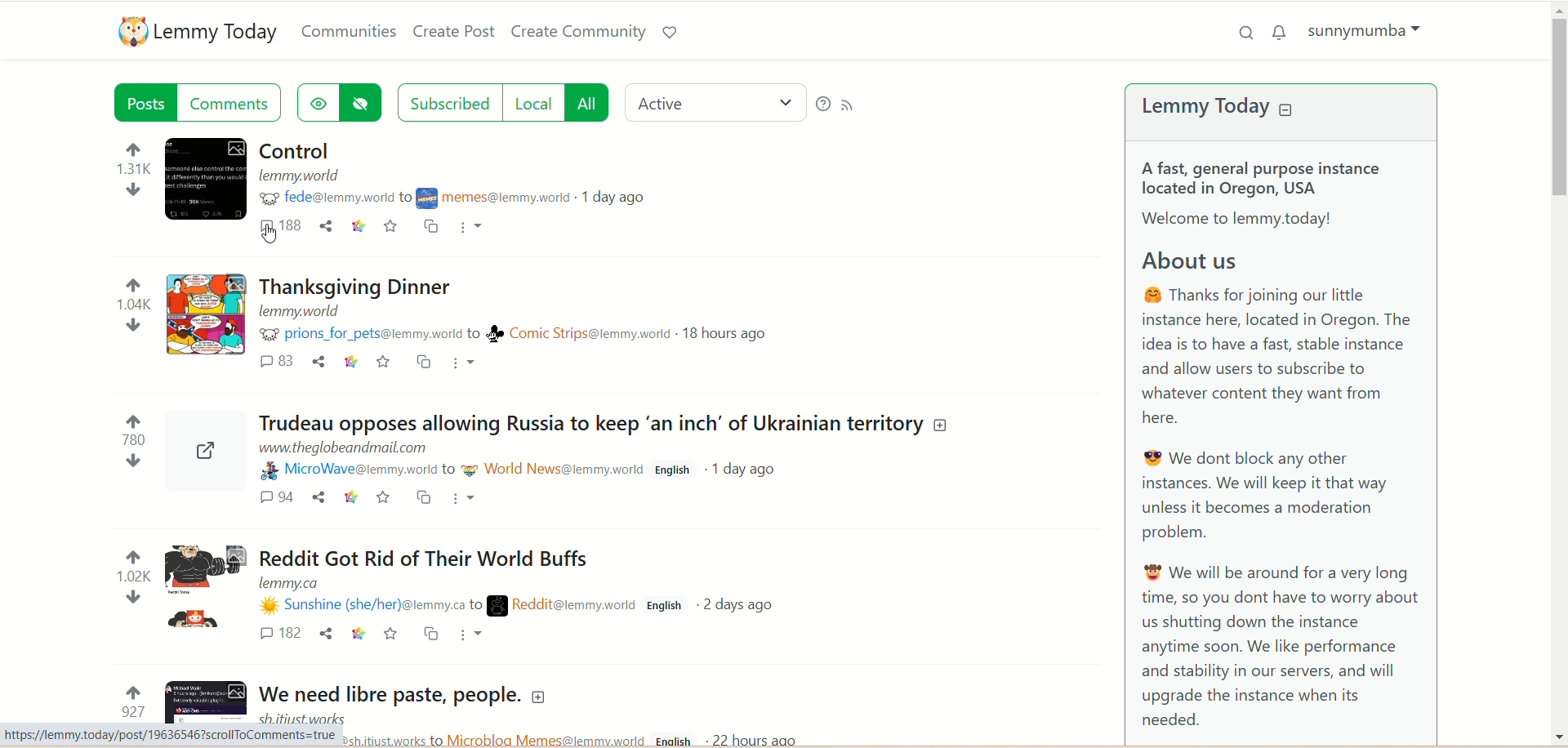 This screenshot has width=1568, height=748. I want to click on username, so click(361, 605).